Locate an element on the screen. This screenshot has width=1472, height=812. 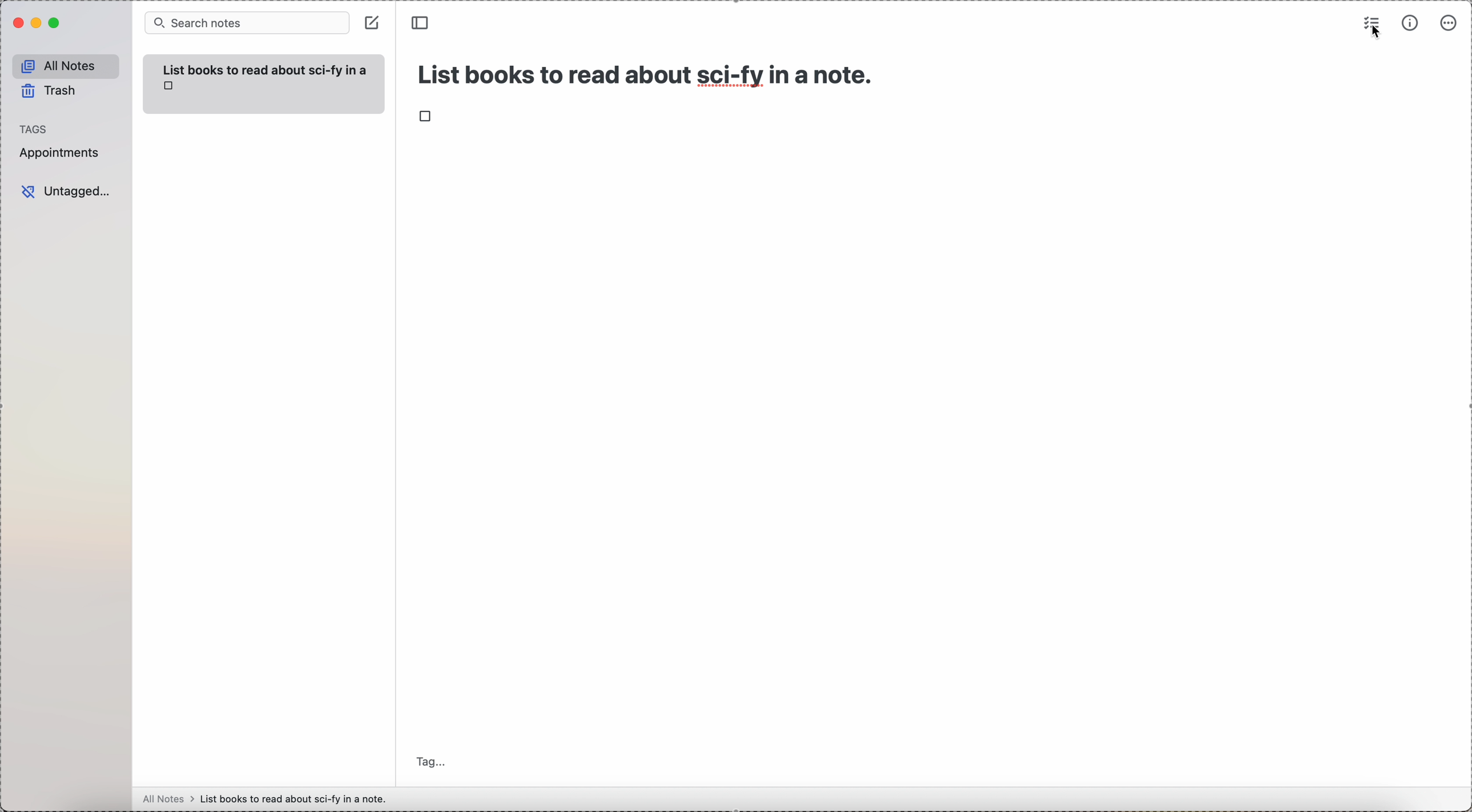
cursor is located at coordinates (1375, 33).